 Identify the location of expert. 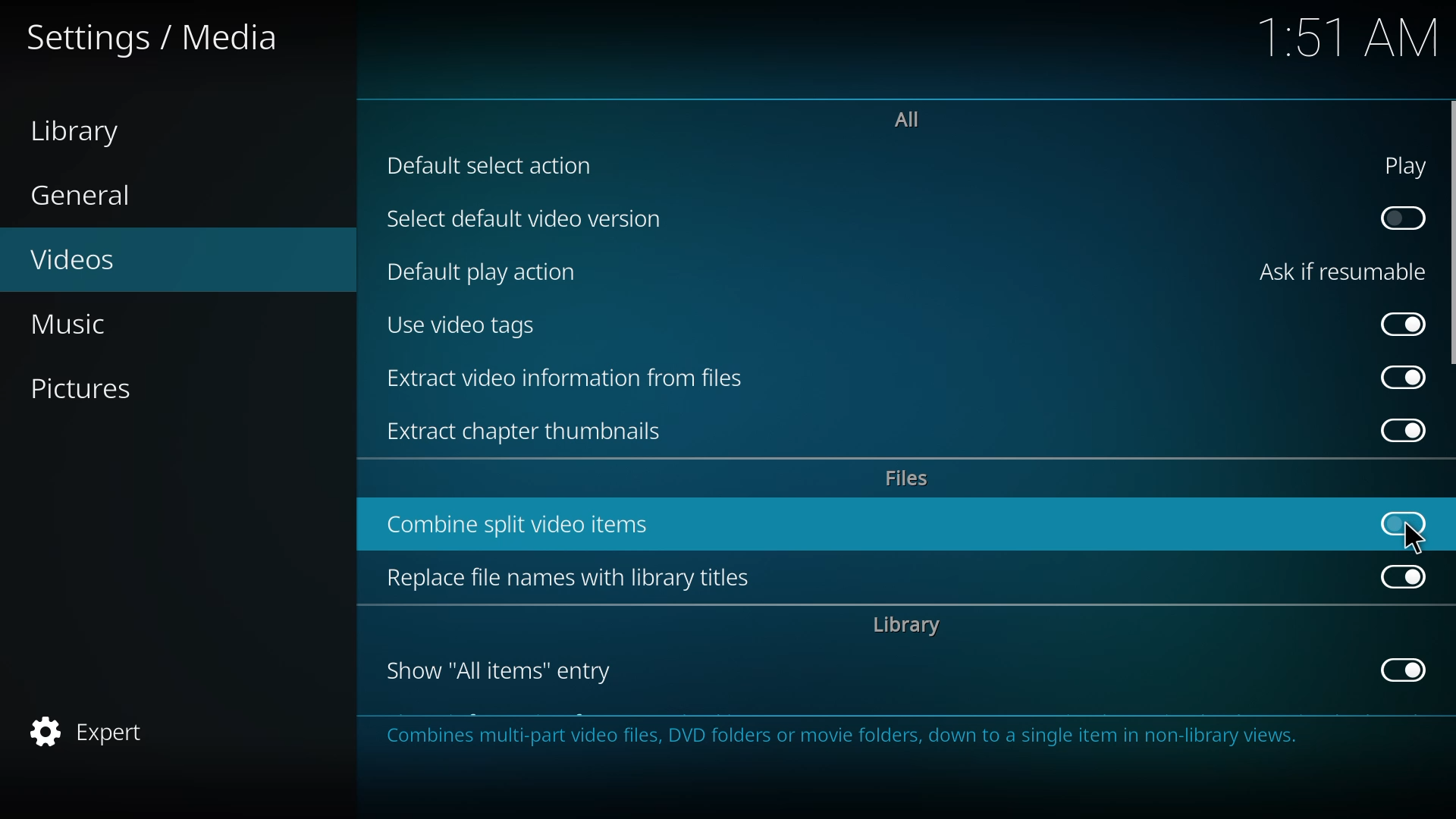
(86, 730).